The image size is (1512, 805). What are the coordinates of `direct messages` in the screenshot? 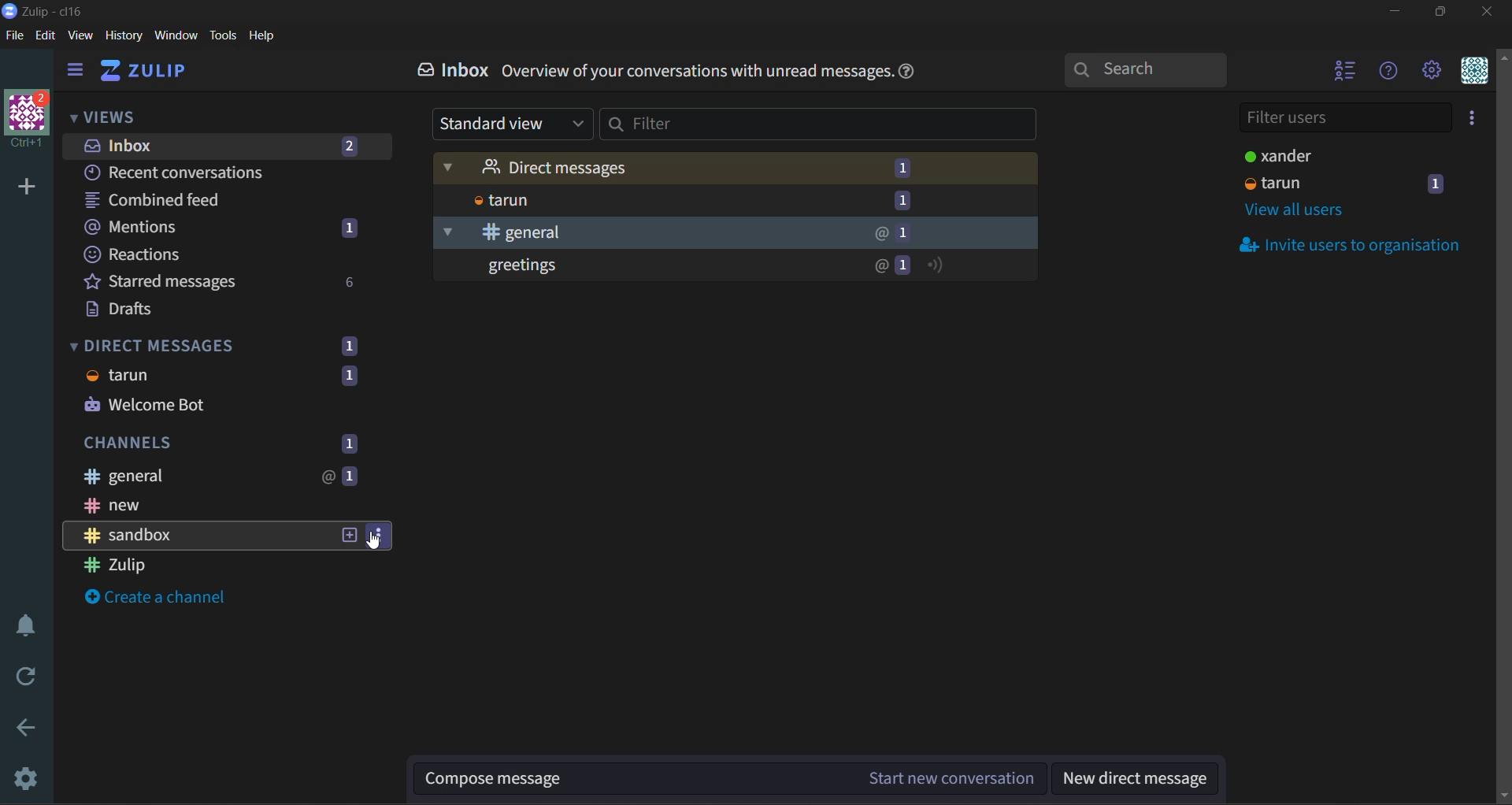 It's located at (215, 373).